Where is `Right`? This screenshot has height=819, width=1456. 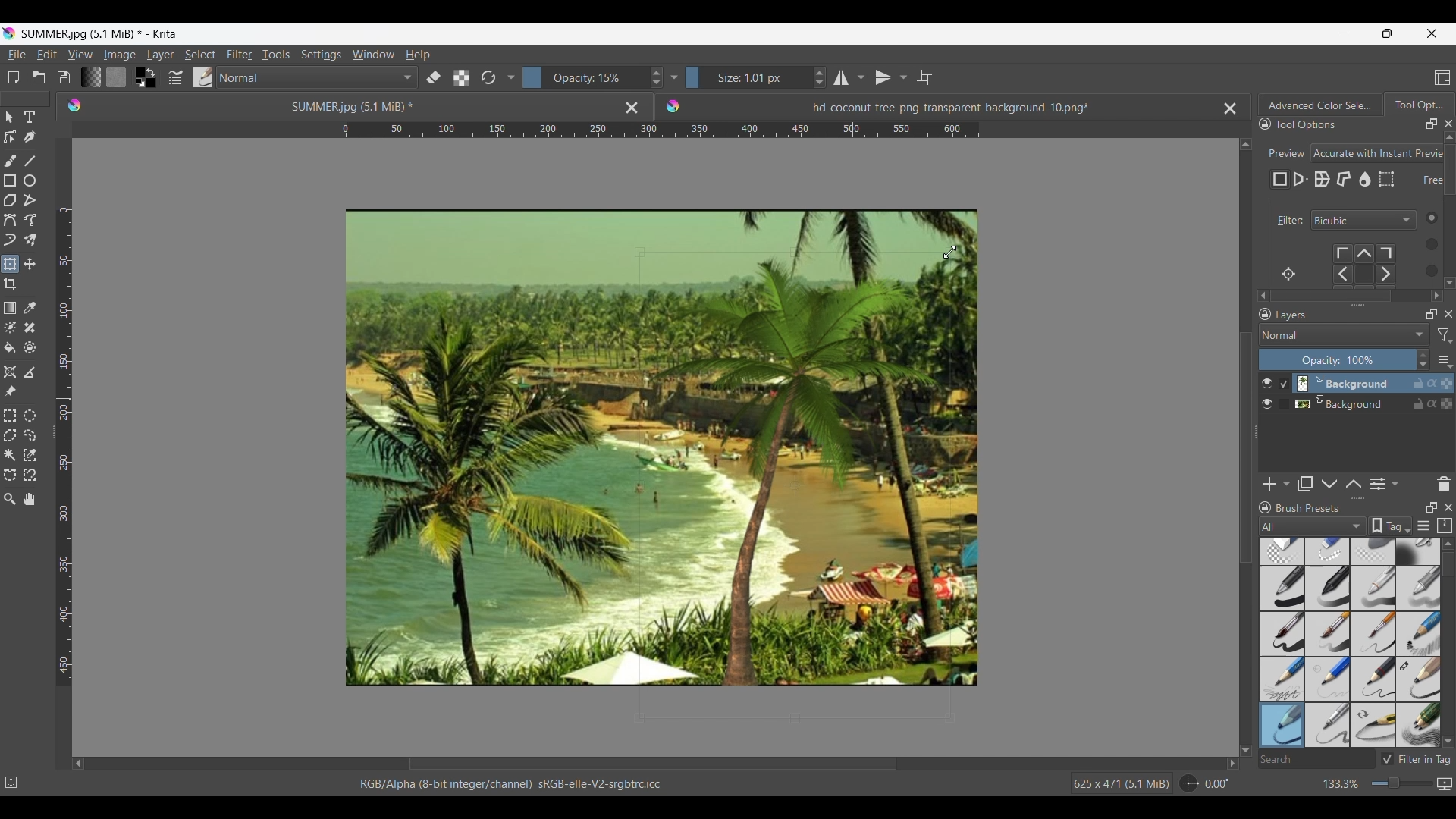 Right is located at coordinates (1434, 293).